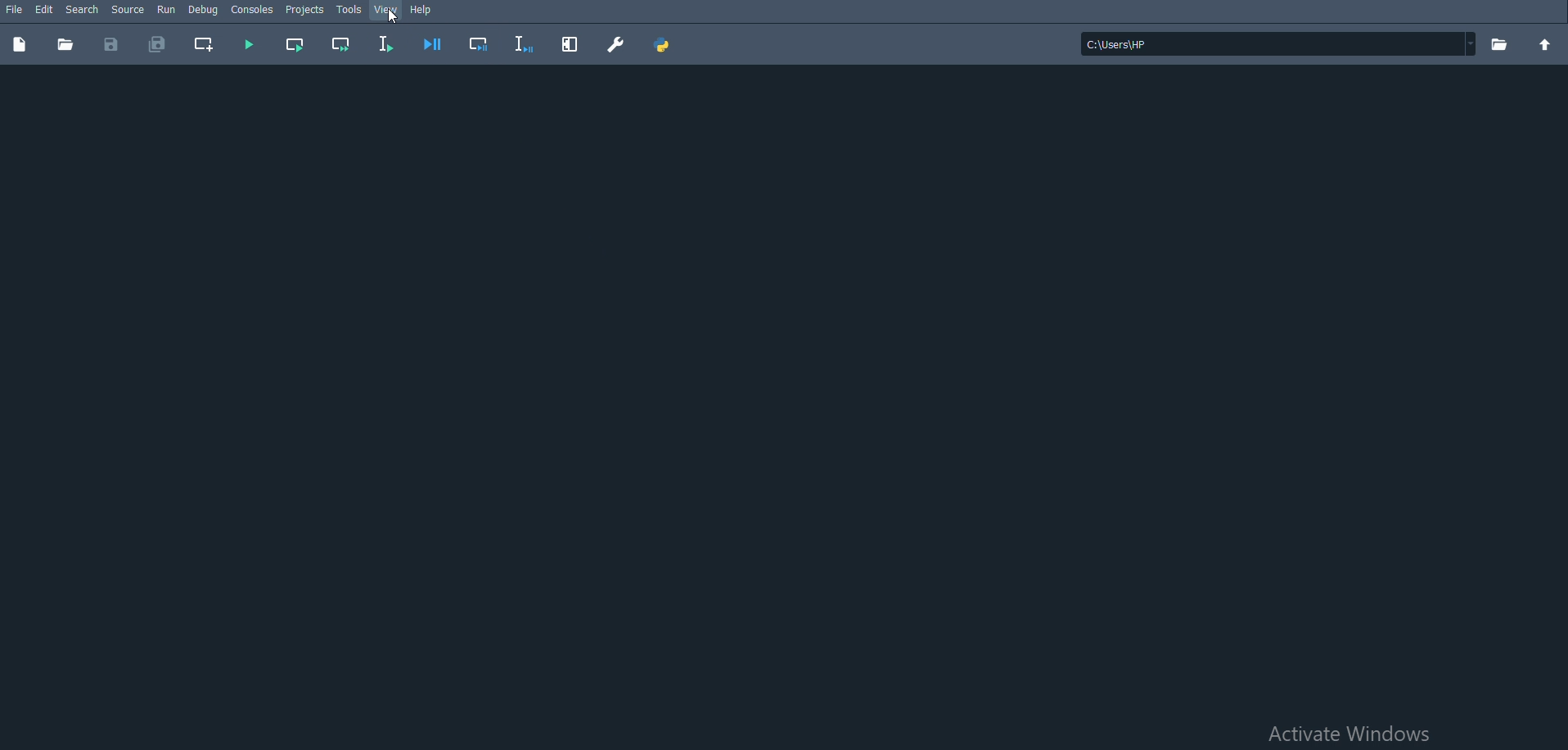  What do you see at coordinates (617, 43) in the screenshot?
I see `Preferences` at bounding box center [617, 43].